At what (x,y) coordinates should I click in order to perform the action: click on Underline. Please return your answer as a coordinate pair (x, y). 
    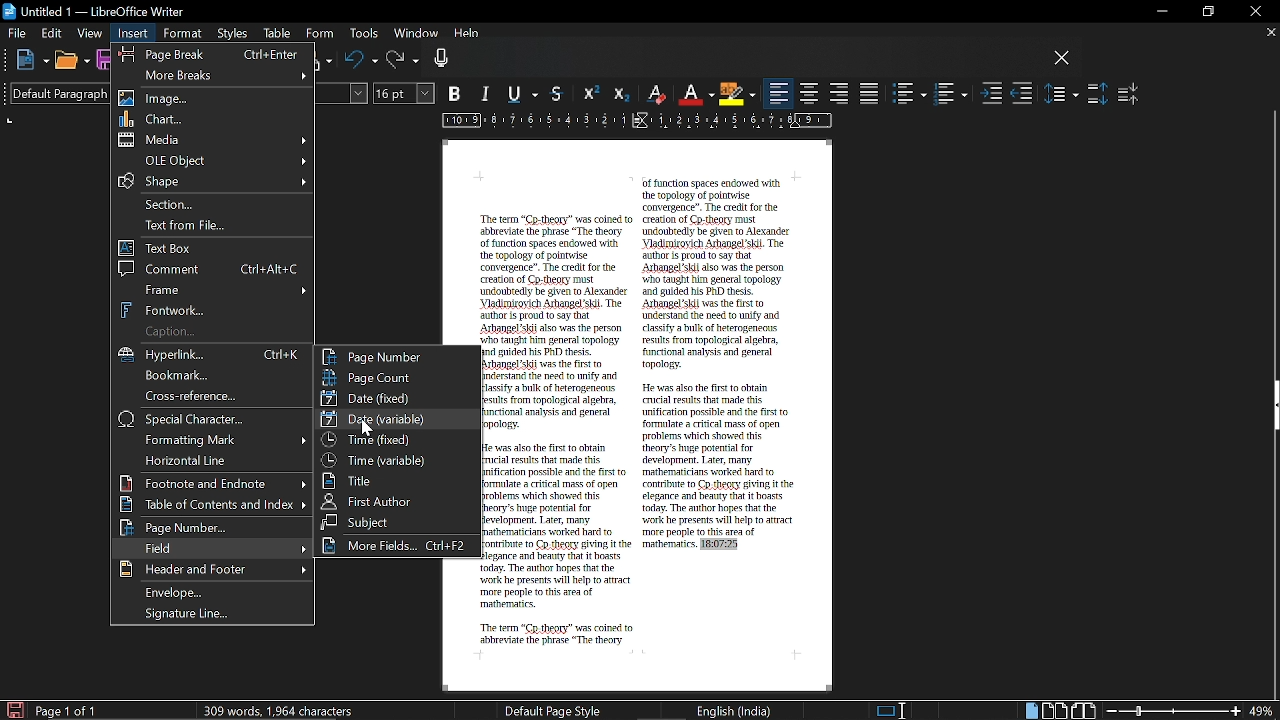
    Looking at the image, I should click on (526, 95).